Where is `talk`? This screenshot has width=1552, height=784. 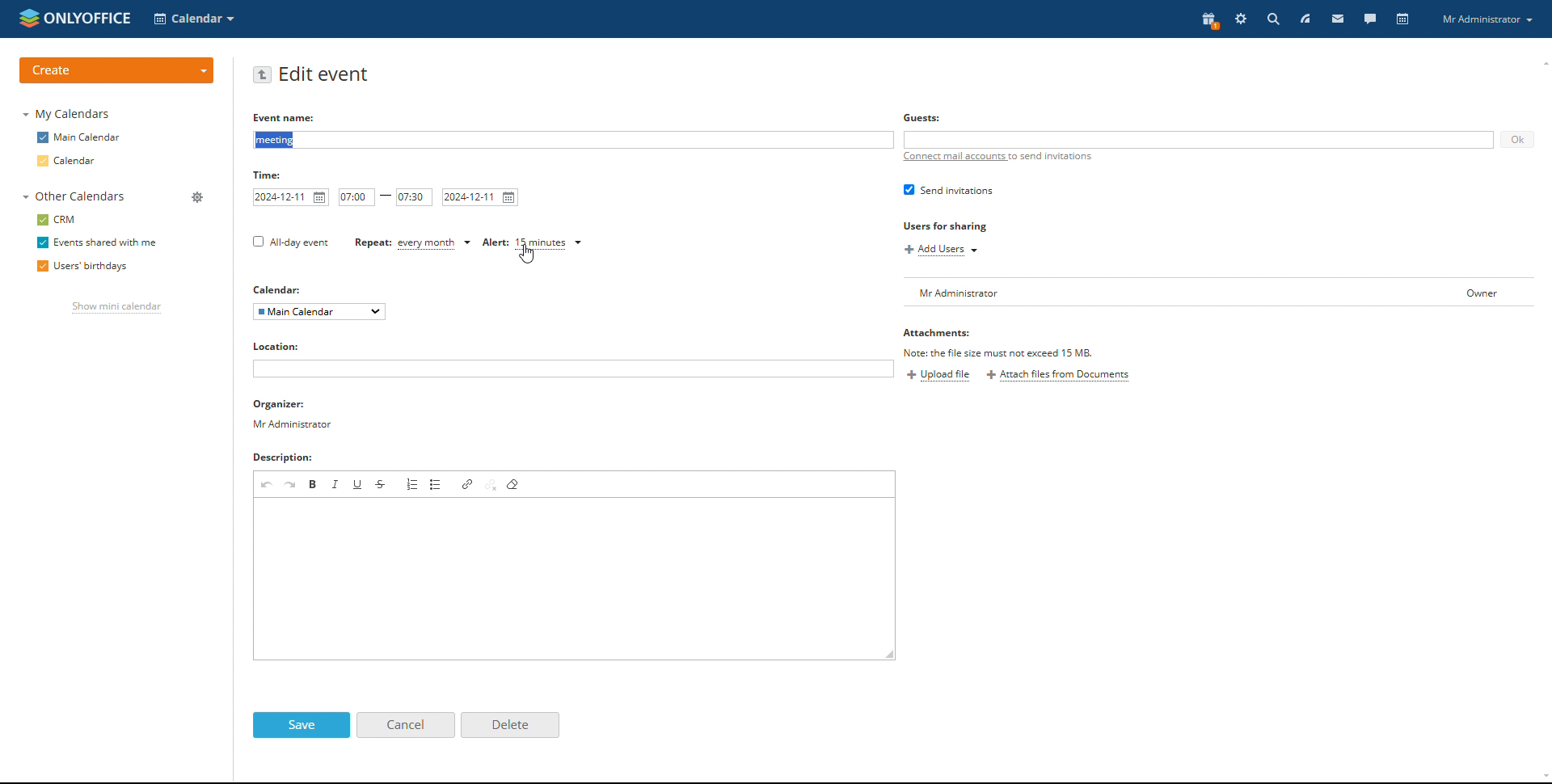 talk is located at coordinates (1369, 19).